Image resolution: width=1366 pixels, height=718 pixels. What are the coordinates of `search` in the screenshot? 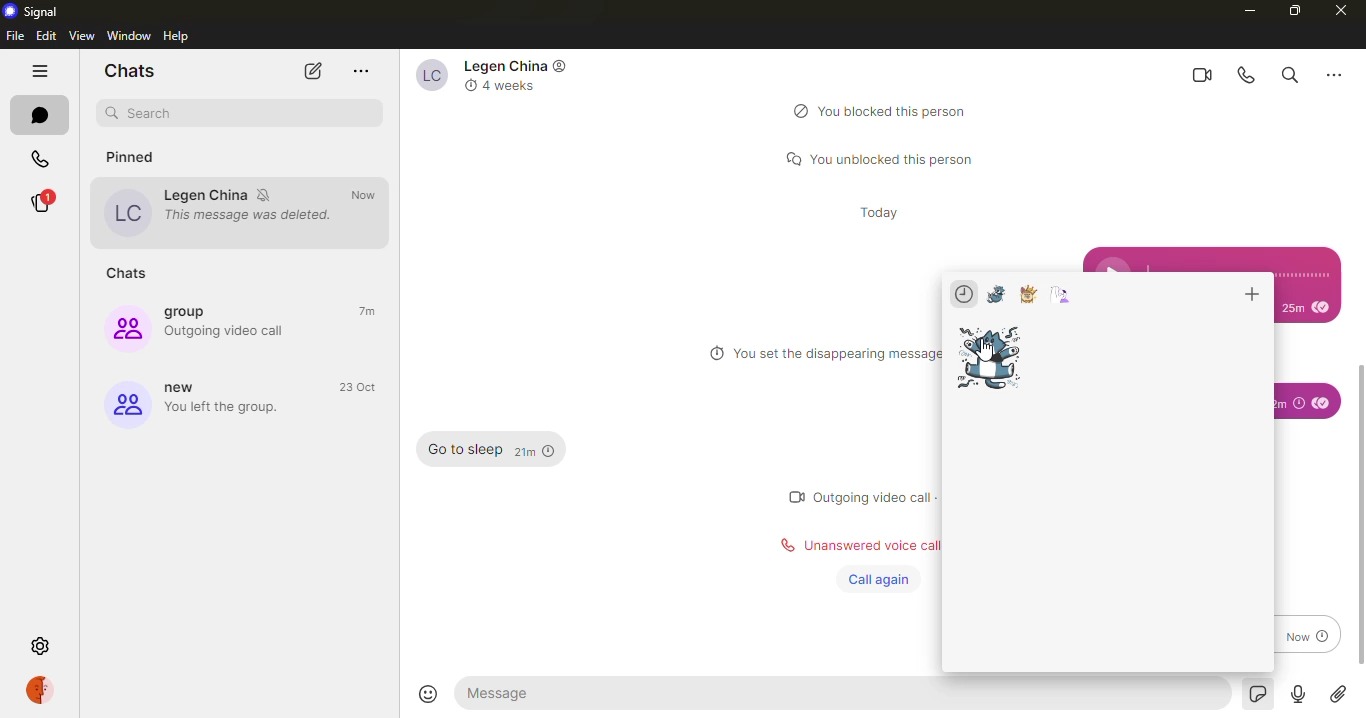 It's located at (1288, 74).